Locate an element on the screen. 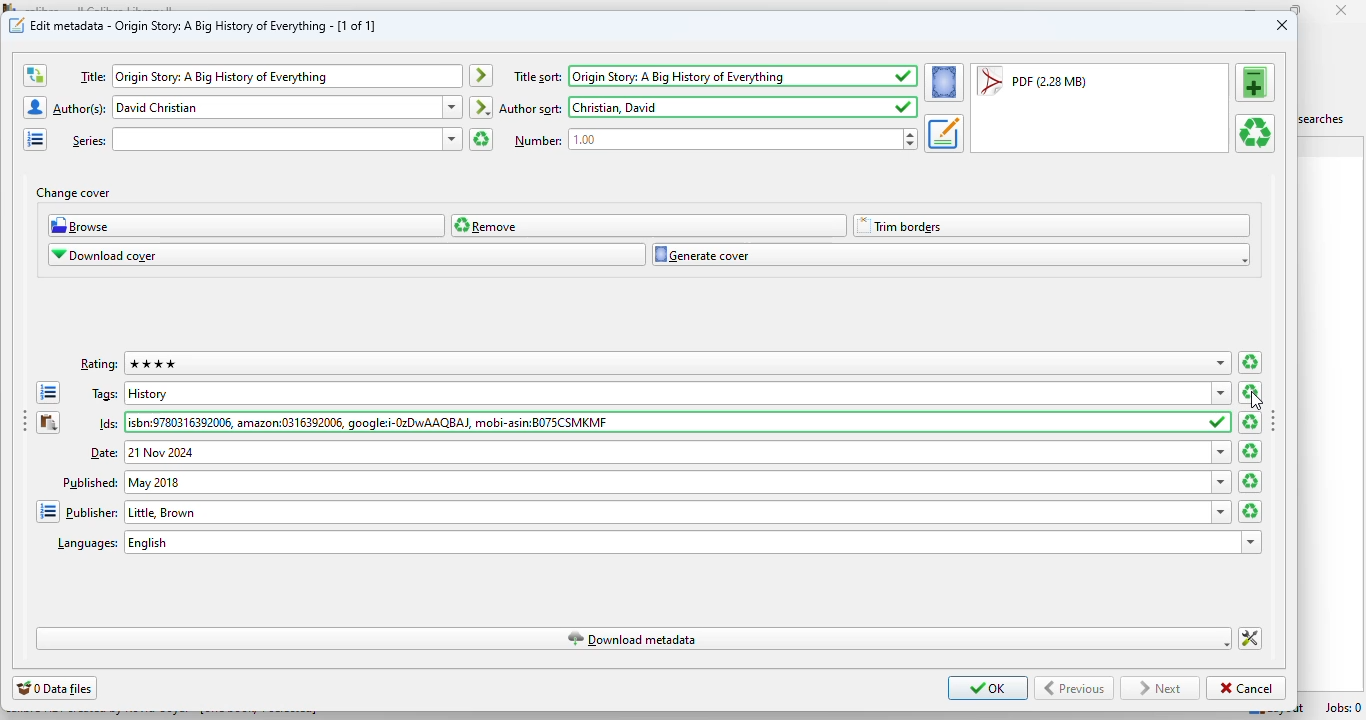 The width and height of the screenshot is (1366, 720). previous is located at coordinates (1074, 688).